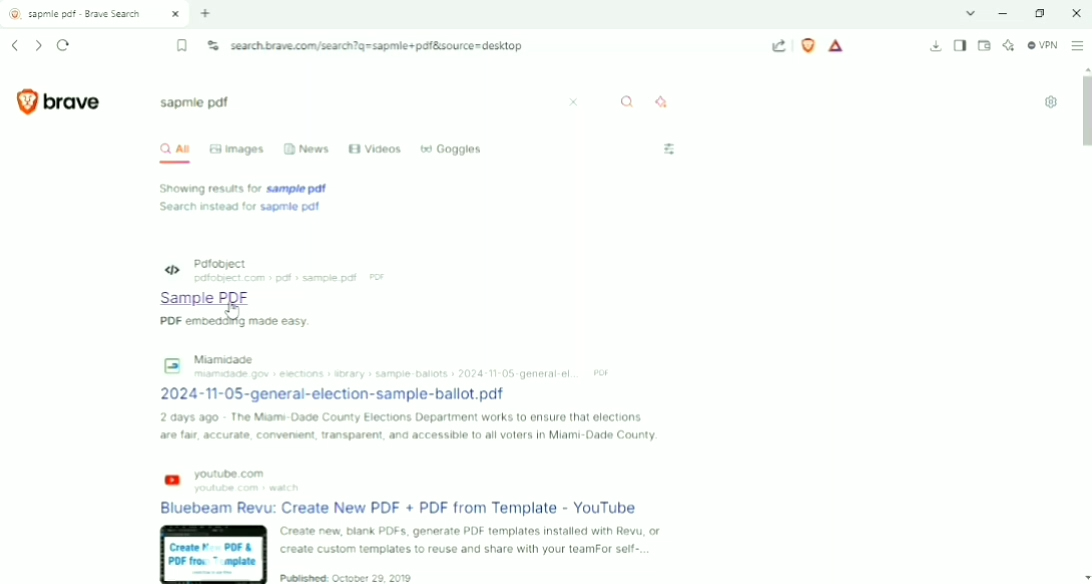 The image size is (1092, 584). Describe the element at coordinates (14, 45) in the screenshot. I see `Back` at that location.